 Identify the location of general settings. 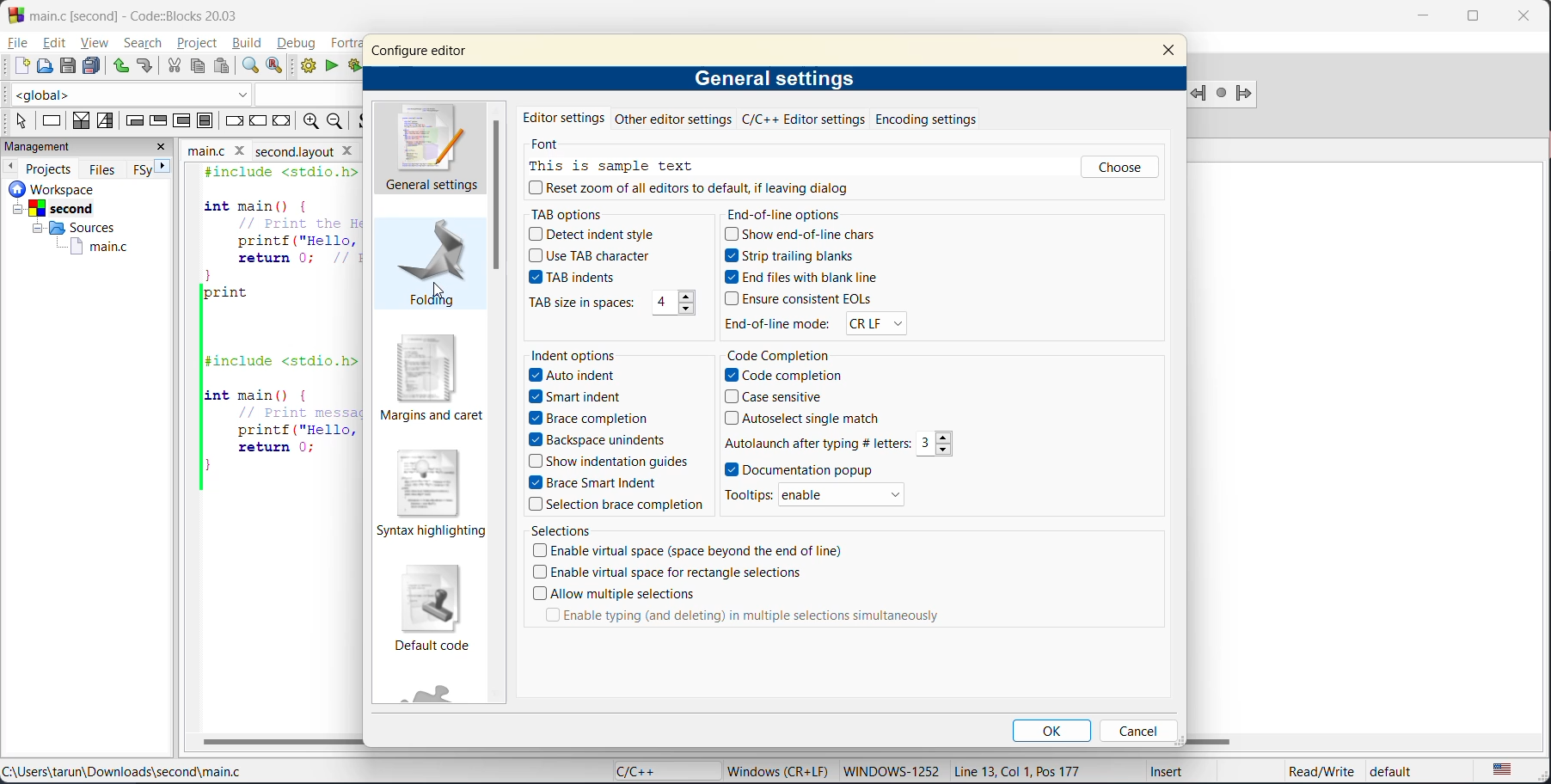
(775, 80).